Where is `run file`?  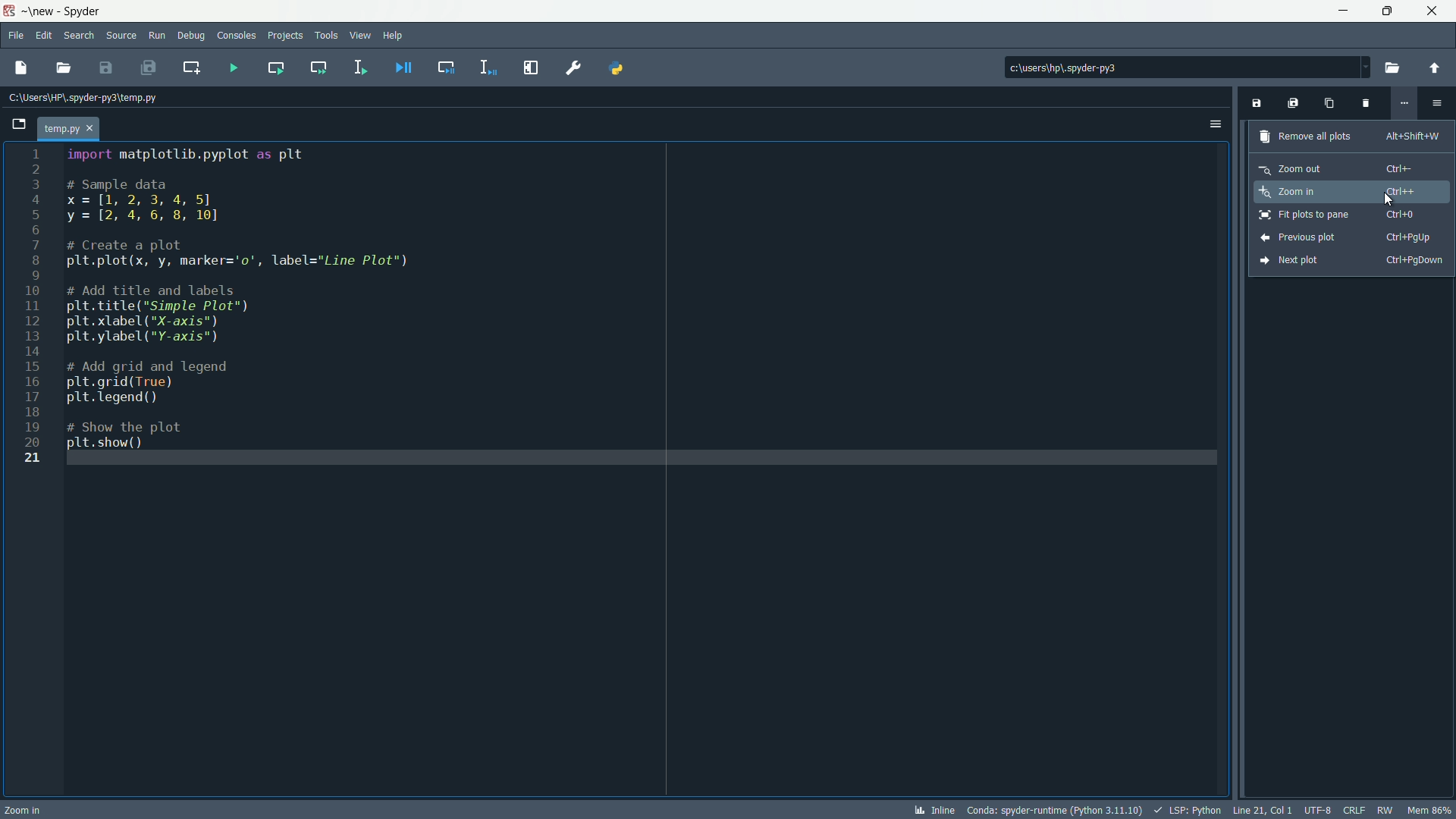 run file is located at coordinates (231, 67).